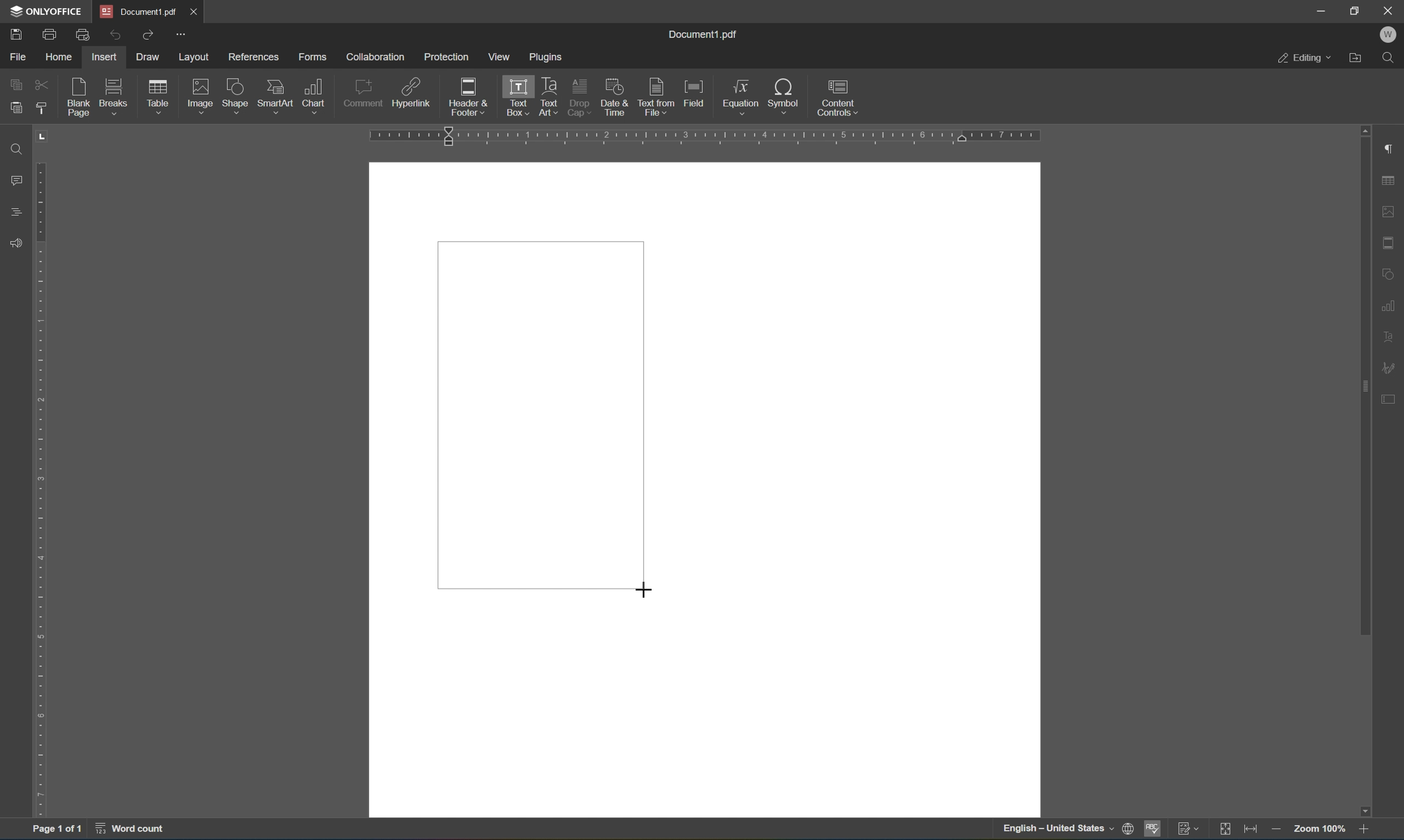 The height and width of the screenshot is (840, 1404). Describe the element at coordinates (150, 55) in the screenshot. I see `draw` at that location.